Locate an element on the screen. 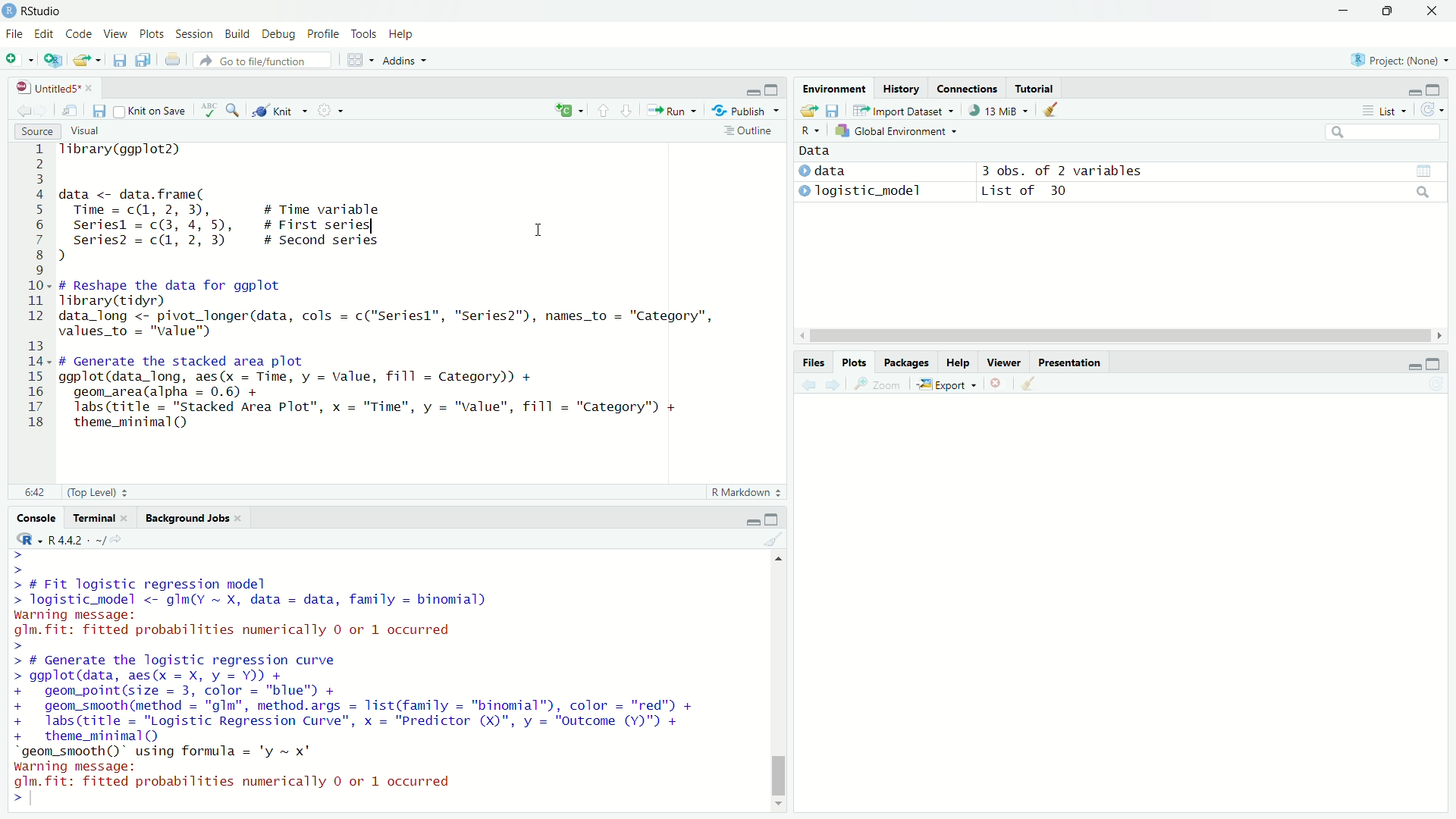  zoom is located at coordinates (236, 111).